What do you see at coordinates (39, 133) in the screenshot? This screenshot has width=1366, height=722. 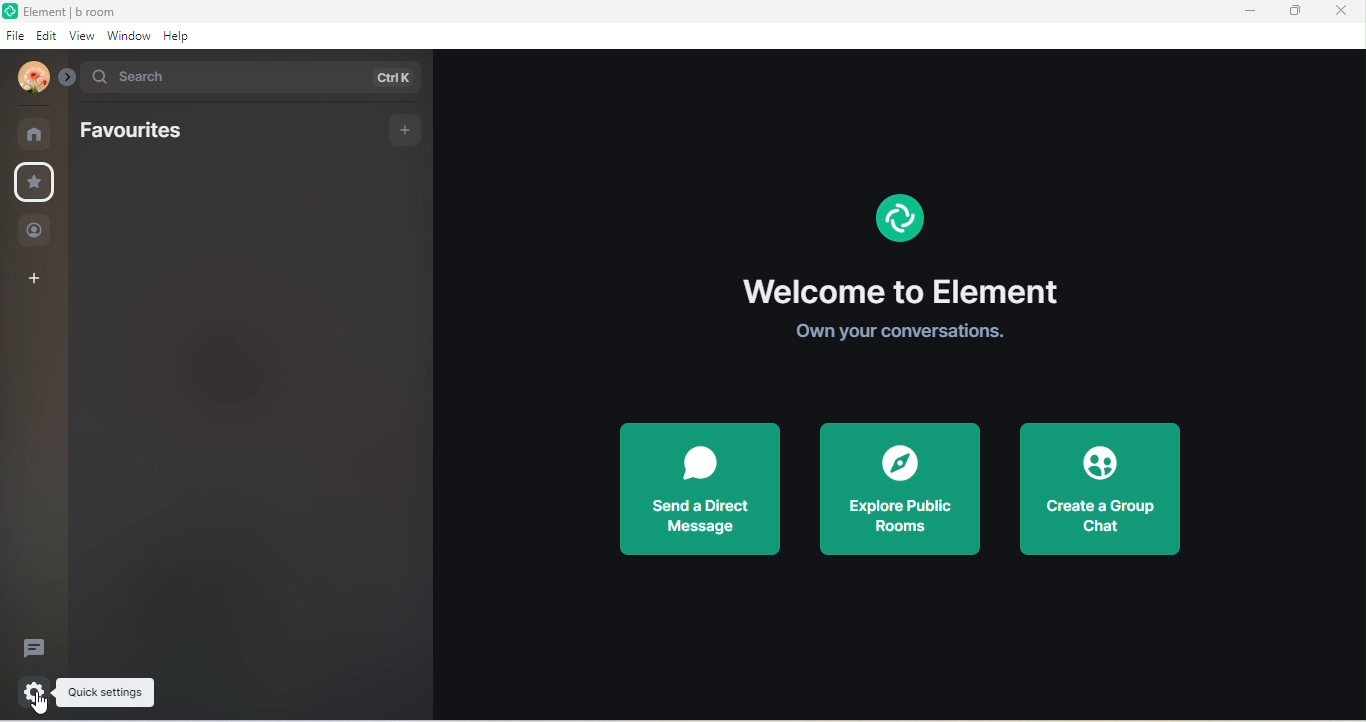 I see `rooms` at bounding box center [39, 133].